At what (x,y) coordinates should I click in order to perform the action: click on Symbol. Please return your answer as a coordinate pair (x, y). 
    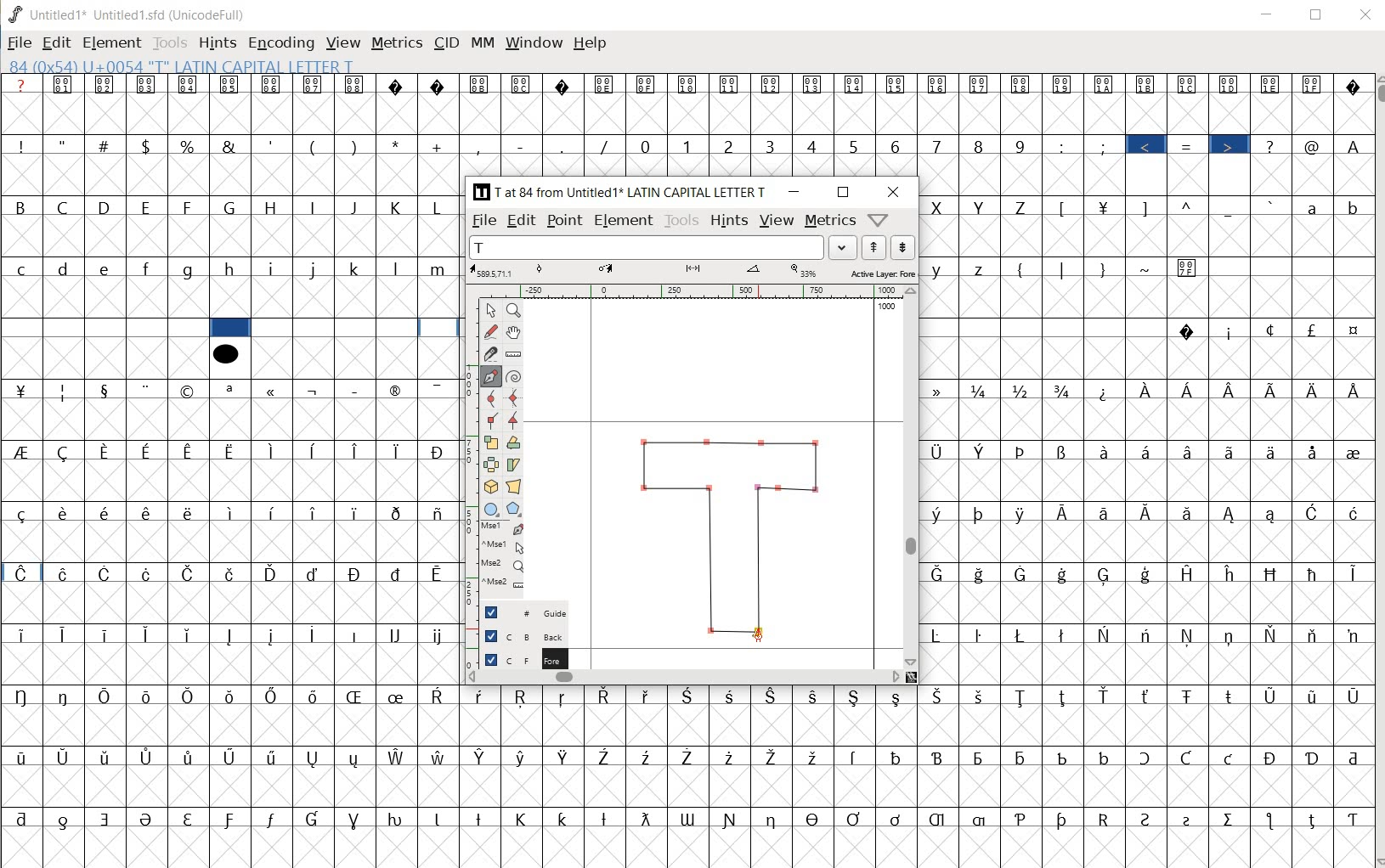
    Looking at the image, I should click on (1230, 694).